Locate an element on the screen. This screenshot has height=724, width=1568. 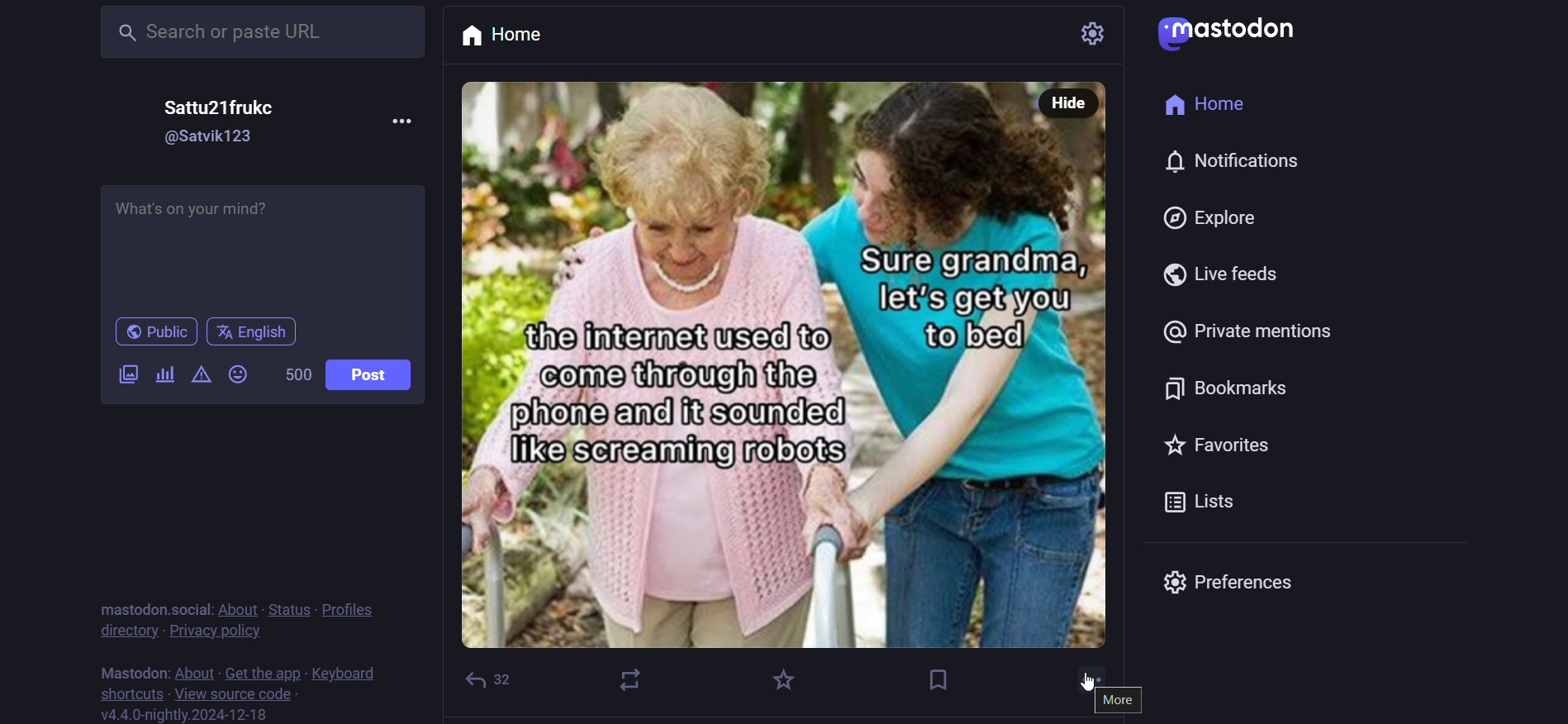
post here is located at coordinates (262, 245).